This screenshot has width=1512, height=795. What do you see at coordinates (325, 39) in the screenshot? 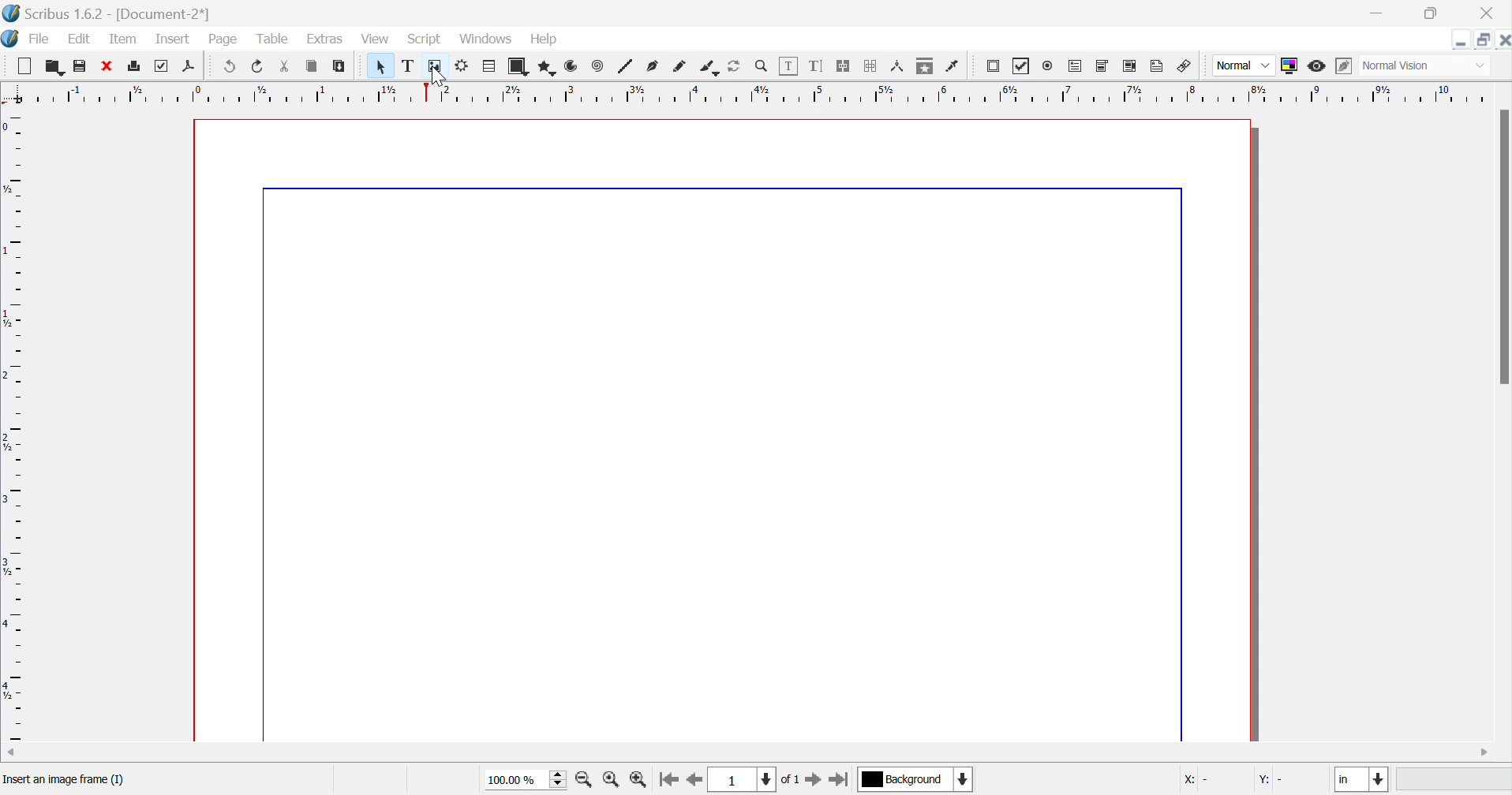
I see `extras` at bounding box center [325, 39].